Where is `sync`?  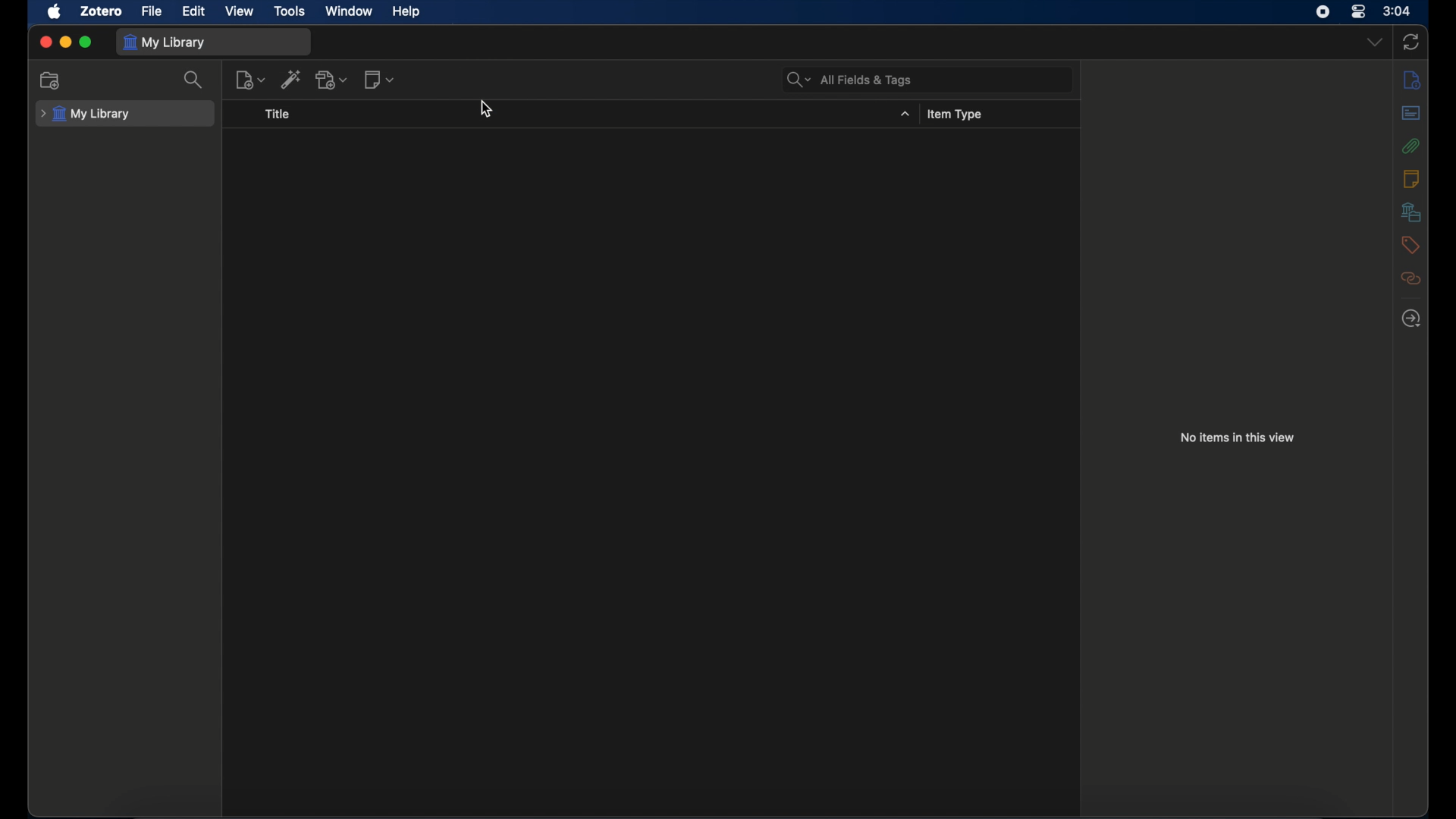
sync is located at coordinates (1411, 42).